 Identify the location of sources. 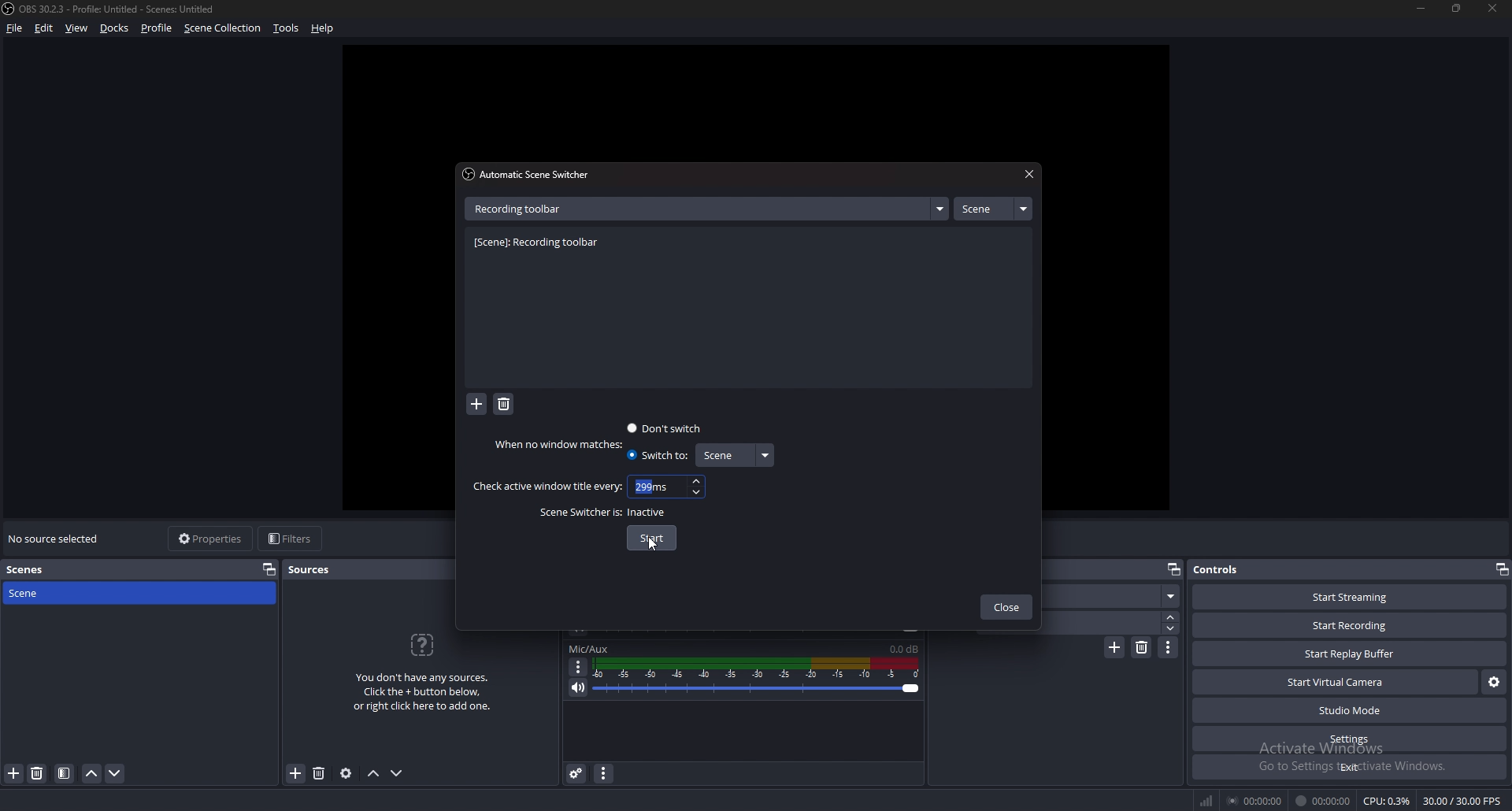
(317, 569).